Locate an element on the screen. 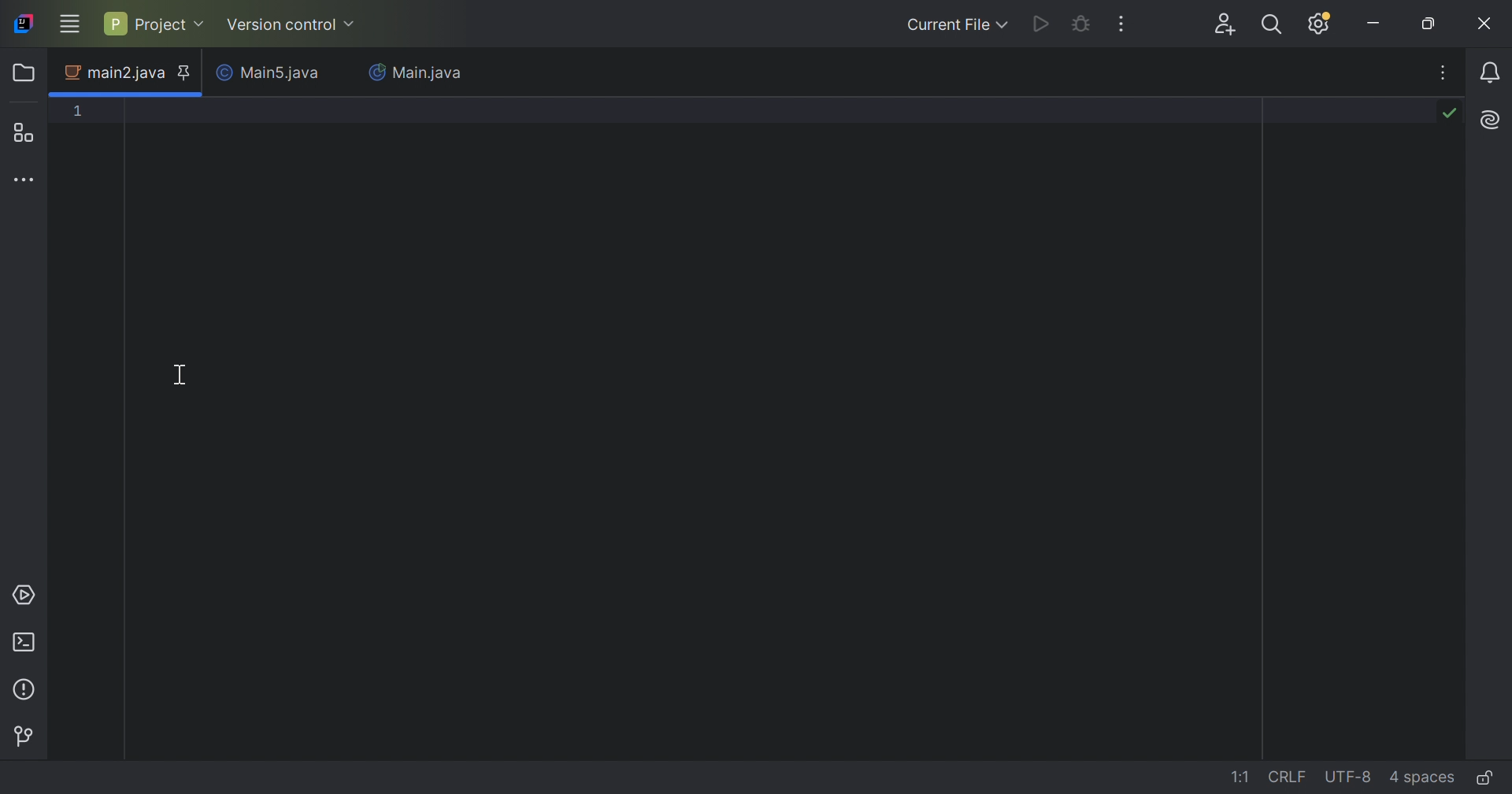 The image size is (1512, 794). Make file read-only is located at coordinates (1488, 777).